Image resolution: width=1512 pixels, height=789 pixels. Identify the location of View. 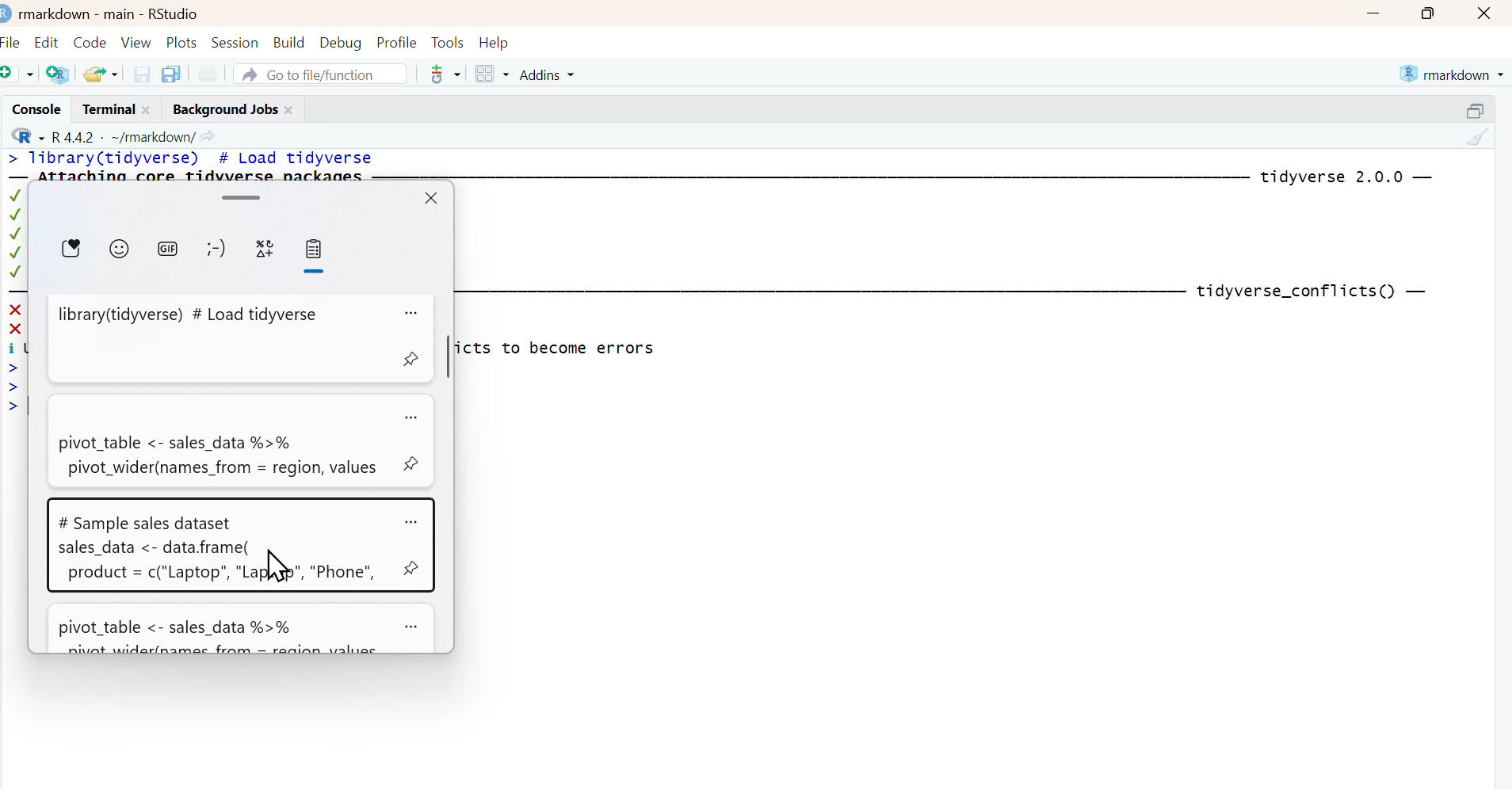
(138, 40).